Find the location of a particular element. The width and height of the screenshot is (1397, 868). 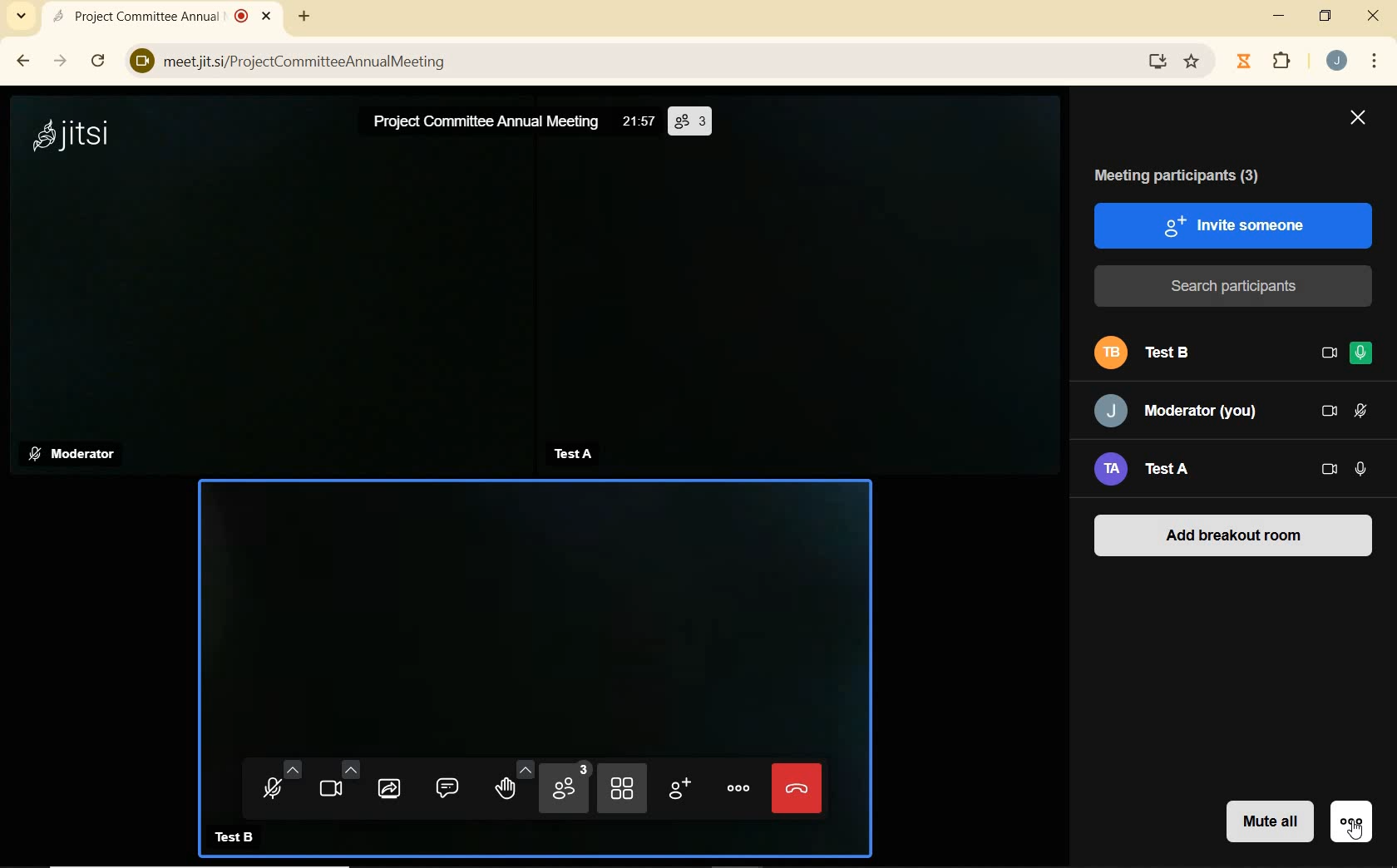

RAISE YOUR HANDS is located at coordinates (511, 788).